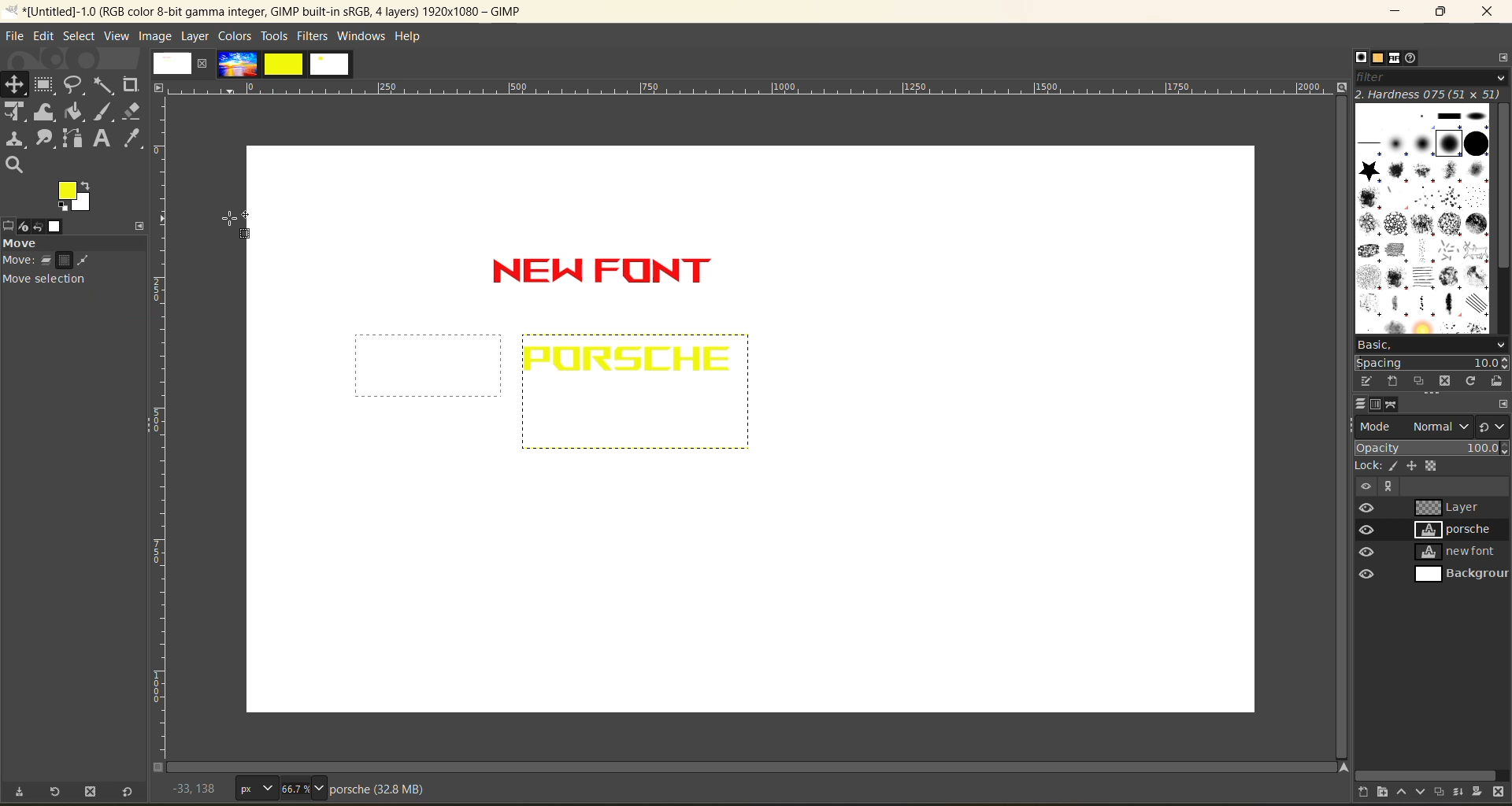 This screenshot has height=806, width=1512. What do you see at coordinates (1503, 403) in the screenshot?
I see `configure` at bounding box center [1503, 403].